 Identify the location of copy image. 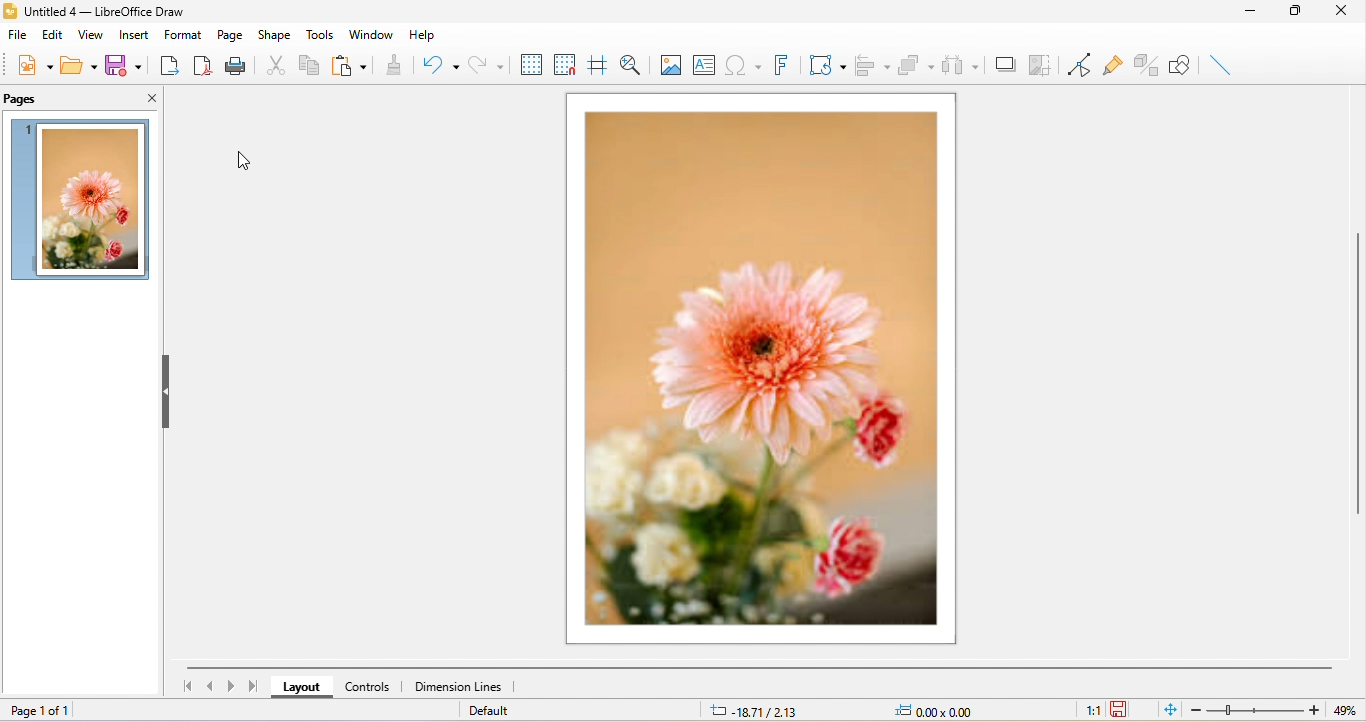
(1043, 63).